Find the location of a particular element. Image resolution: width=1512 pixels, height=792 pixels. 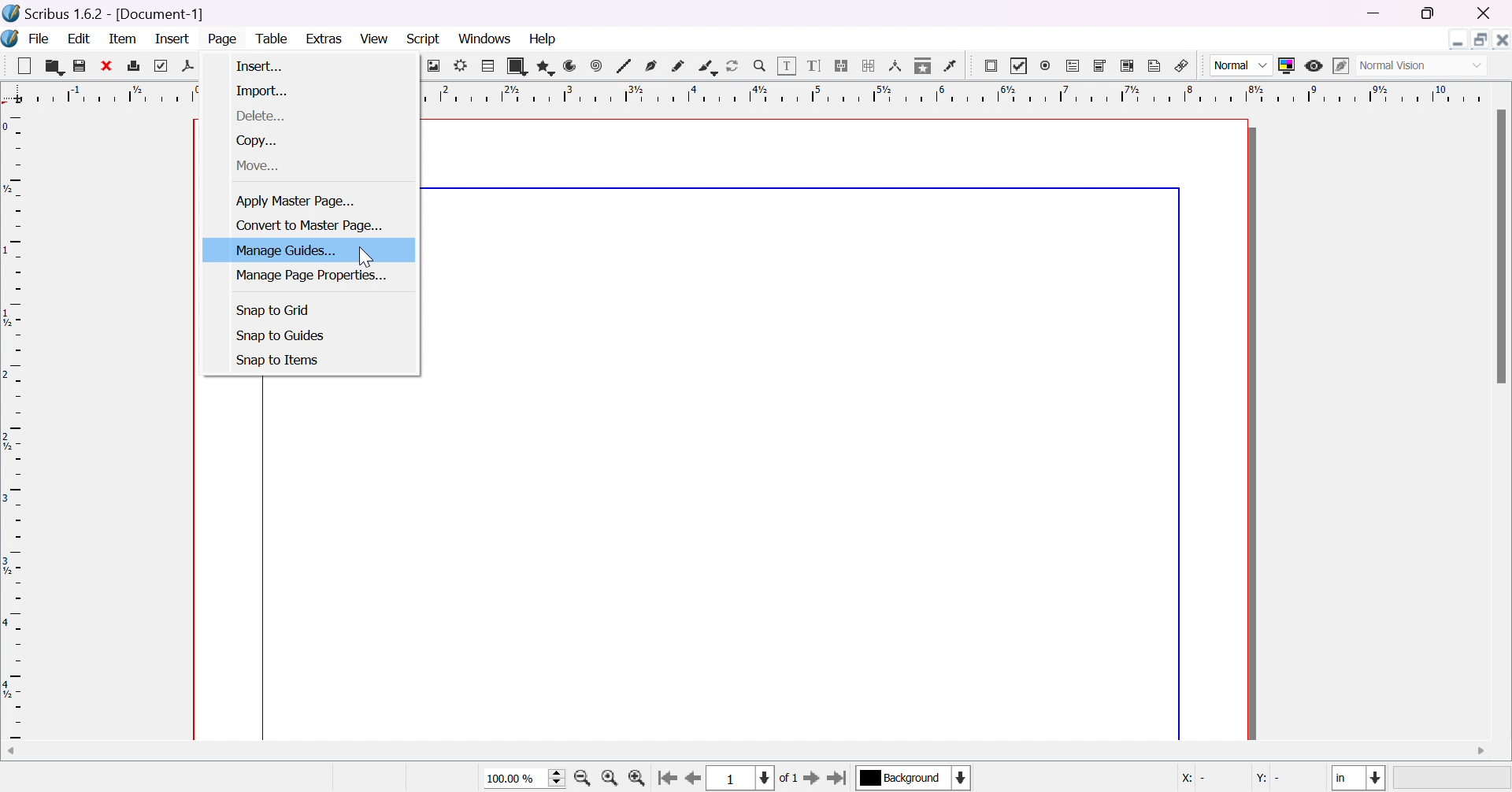

 is located at coordinates (28, 65).